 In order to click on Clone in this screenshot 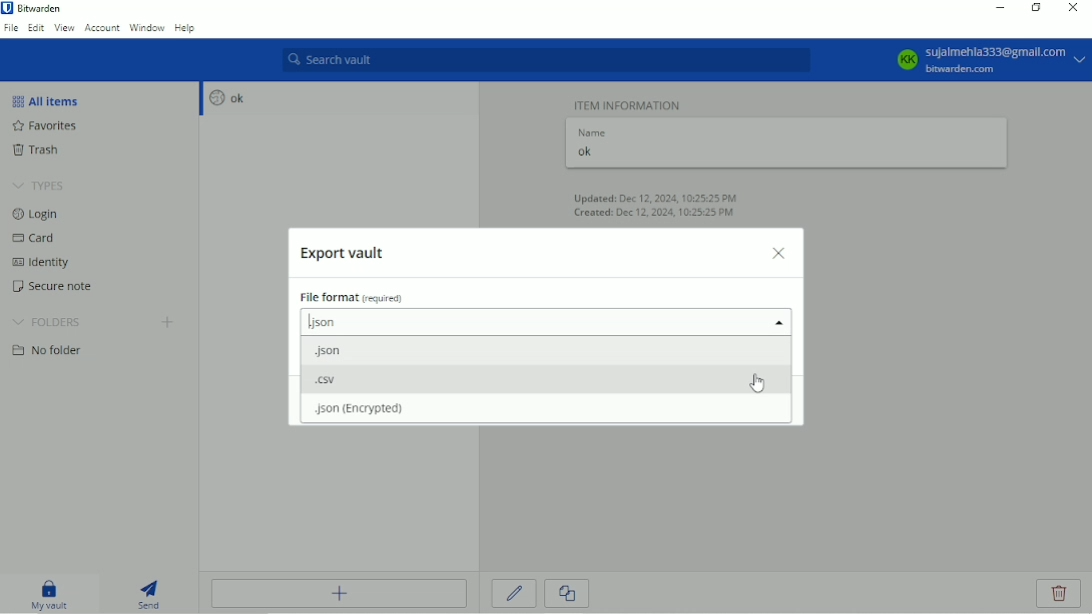, I will do `click(566, 594)`.